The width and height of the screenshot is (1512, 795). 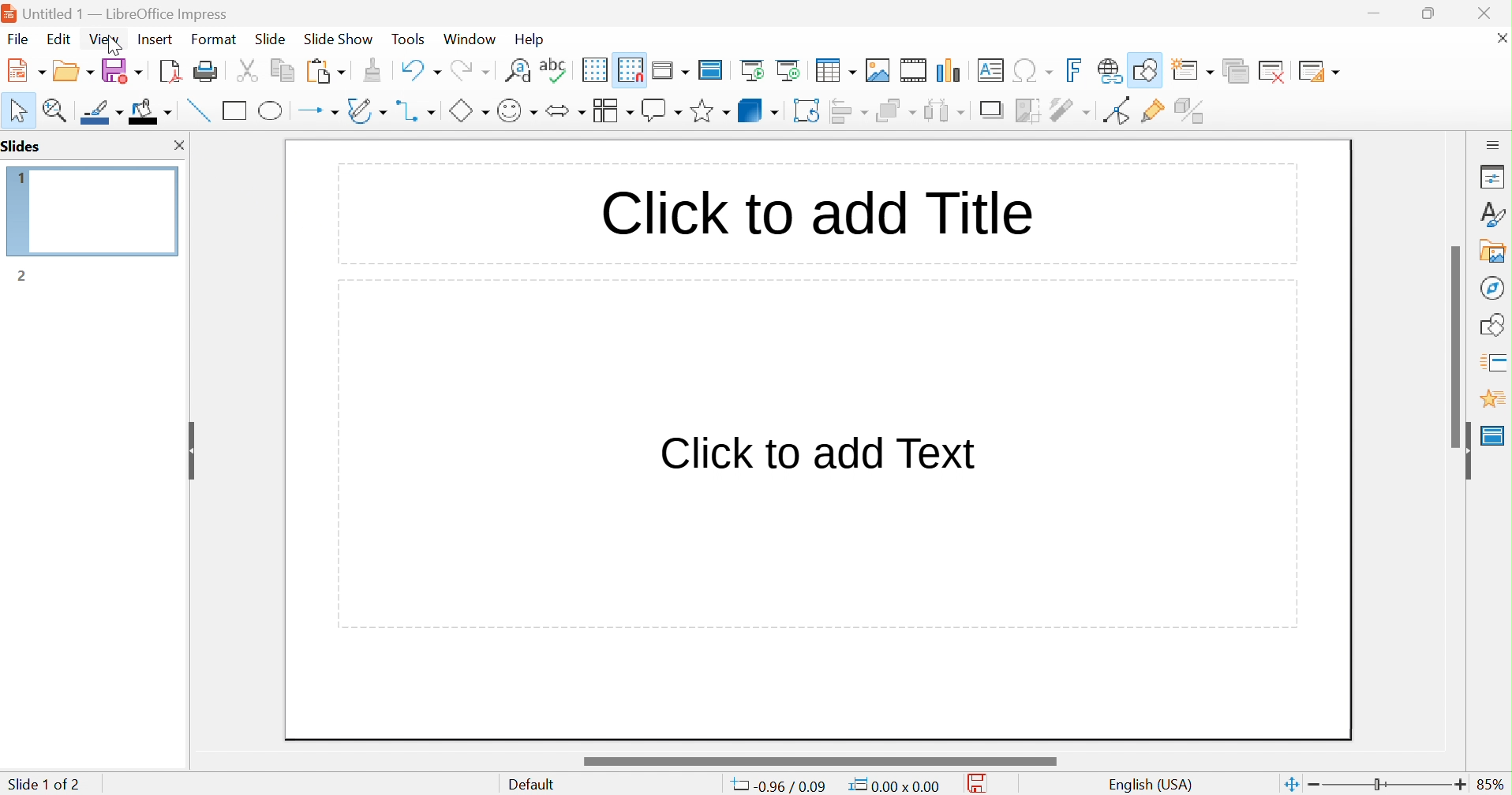 What do you see at coordinates (631, 68) in the screenshot?
I see `snap to grid` at bounding box center [631, 68].